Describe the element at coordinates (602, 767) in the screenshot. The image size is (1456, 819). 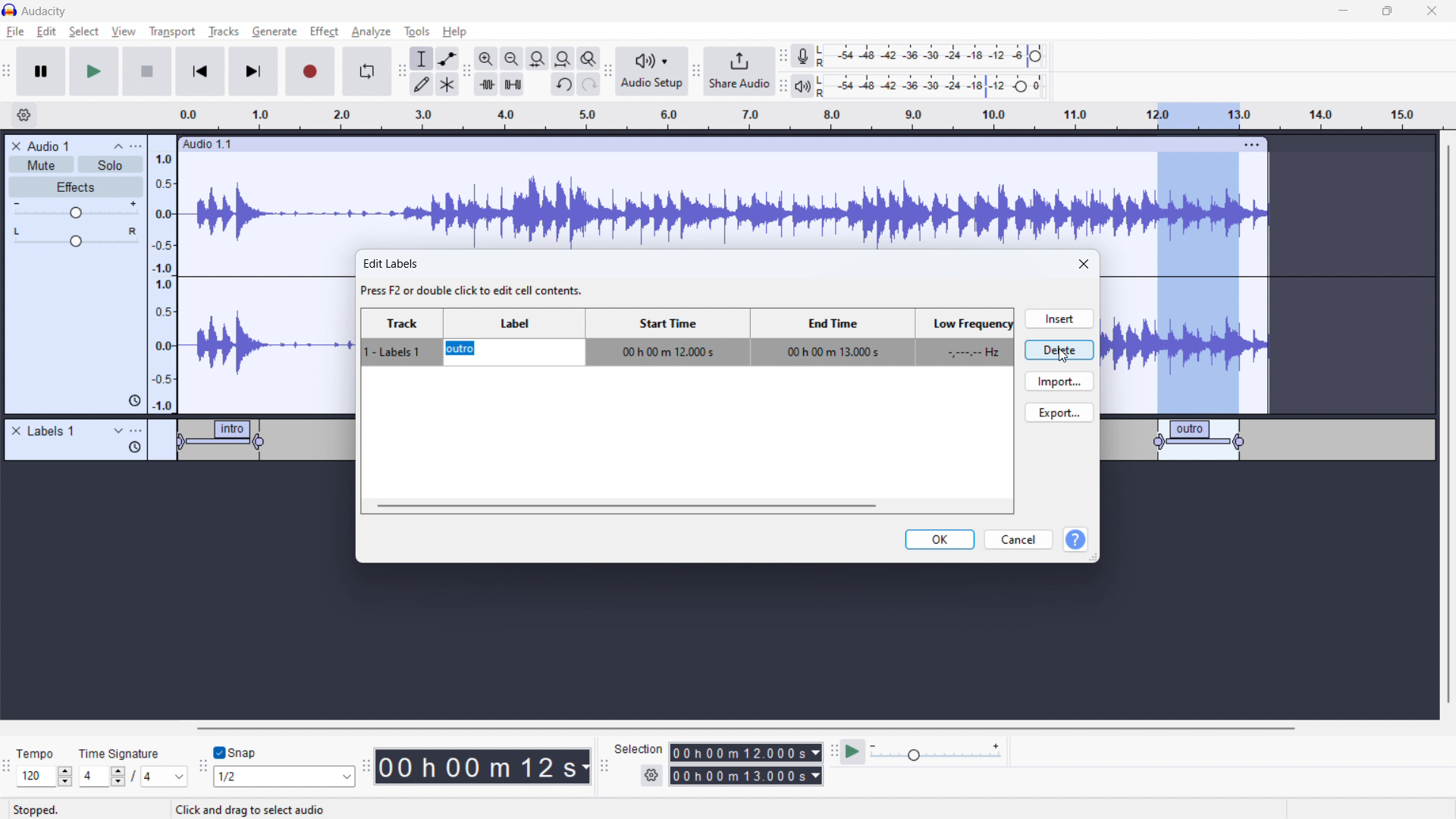
I see `selection toolbar` at that location.